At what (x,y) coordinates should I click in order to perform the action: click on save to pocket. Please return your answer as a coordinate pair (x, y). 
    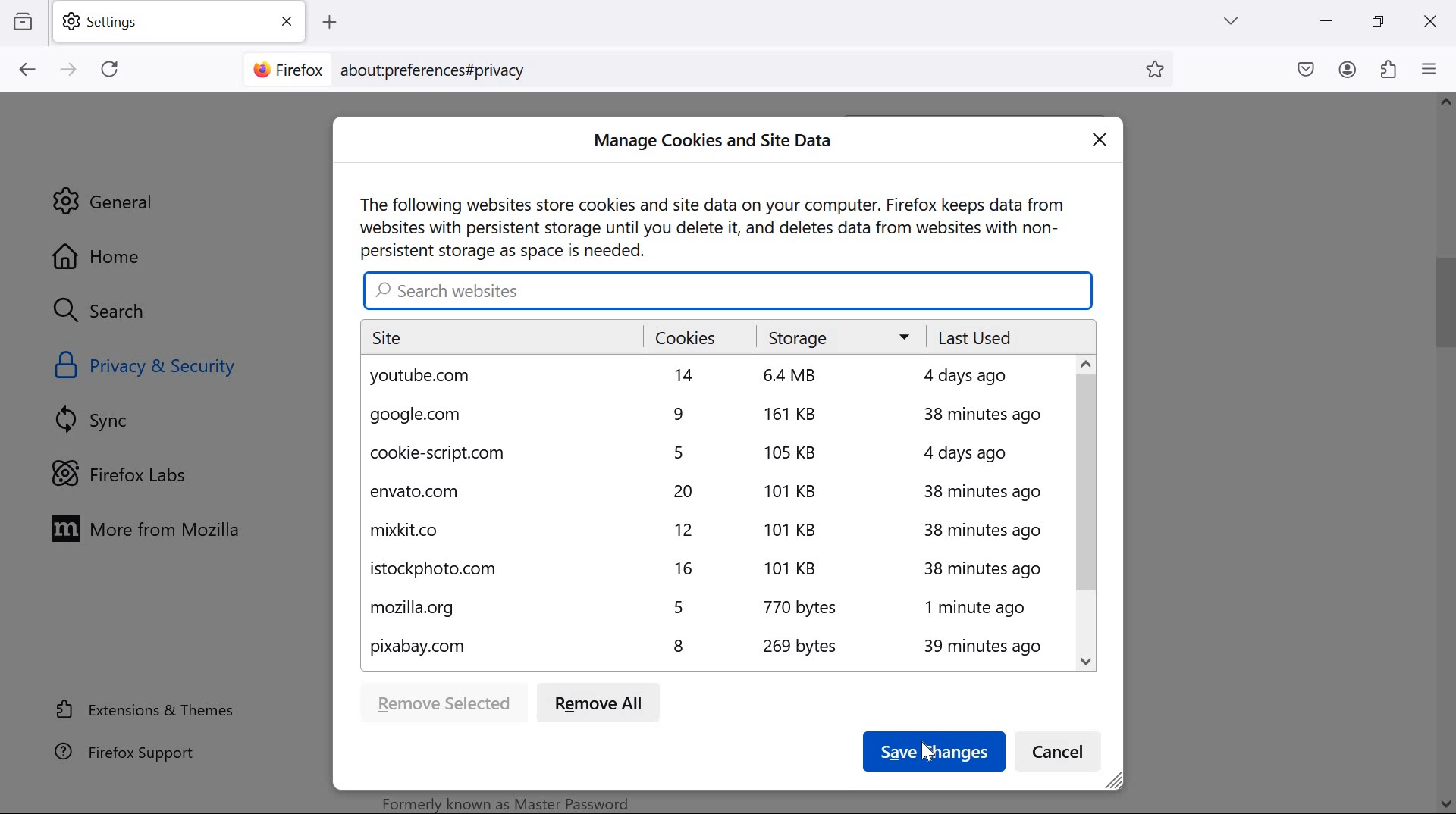
    Looking at the image, I should click on (1306, 70).